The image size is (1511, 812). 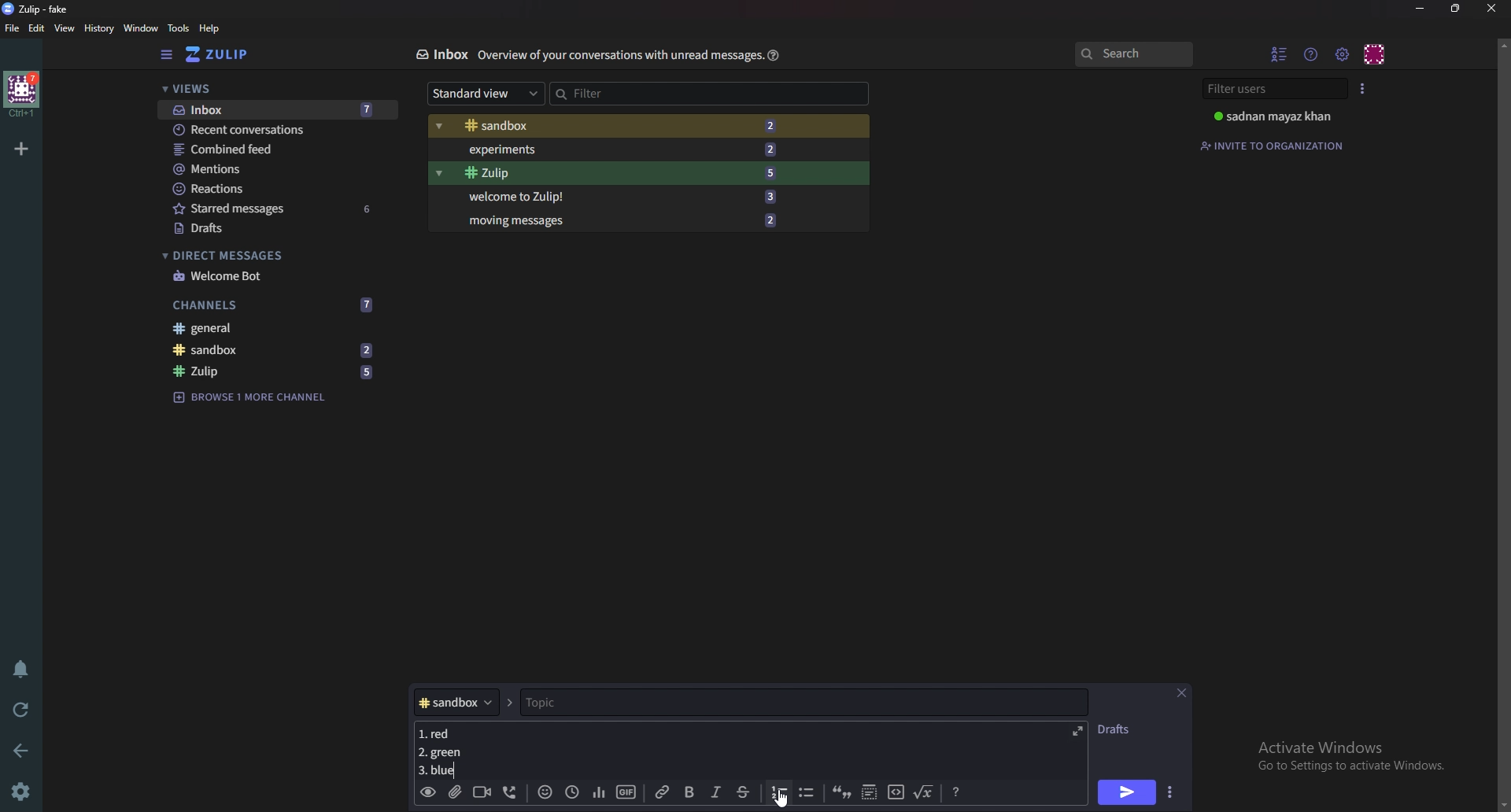 What do you see at coordinates (508, 794) in the screenshot?
I see `Voice call` at bounding box center [508, 794].